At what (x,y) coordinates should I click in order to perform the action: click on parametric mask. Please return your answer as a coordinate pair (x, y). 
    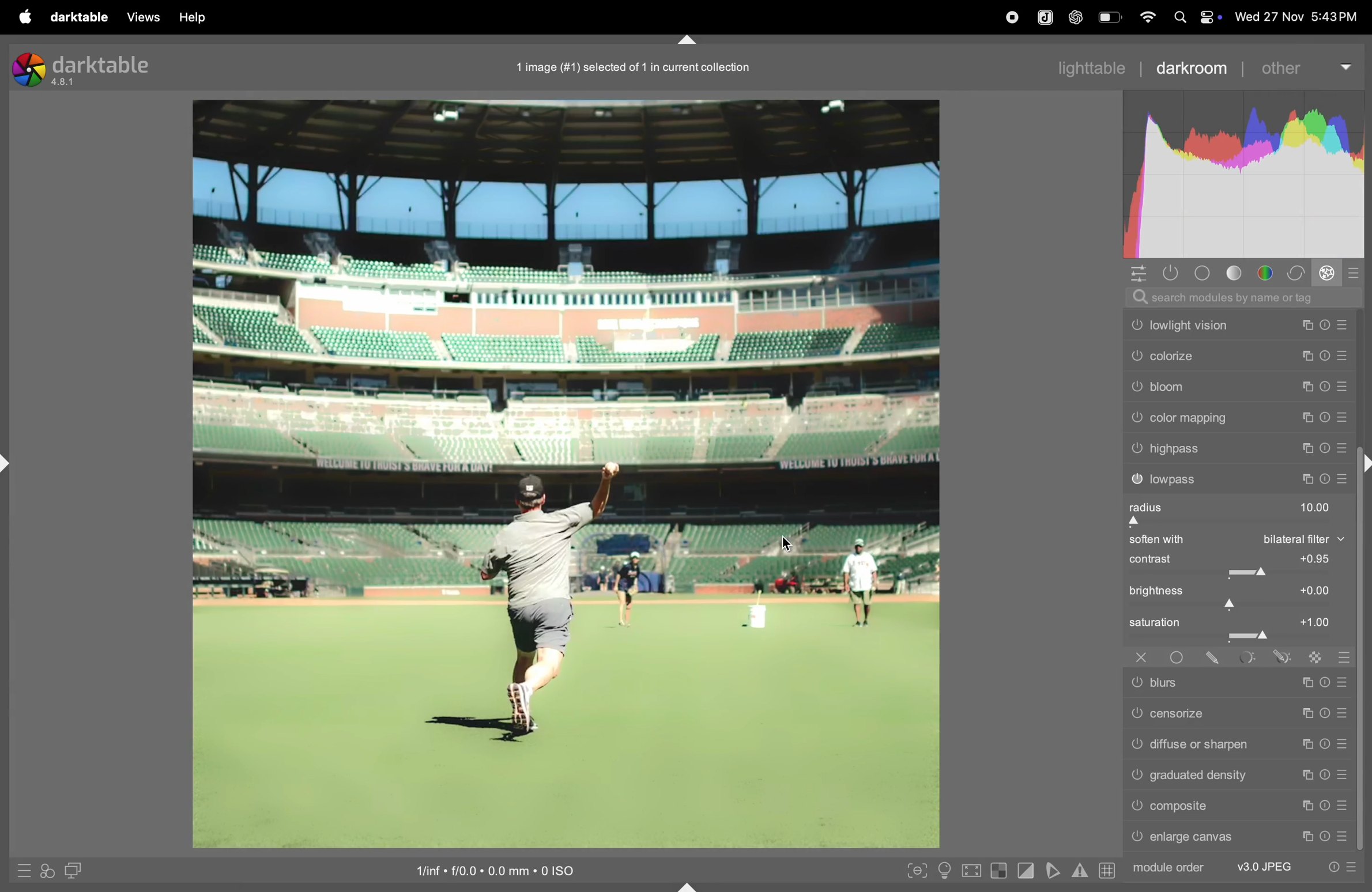
    Looking at the image, I should click on (1246, 659).